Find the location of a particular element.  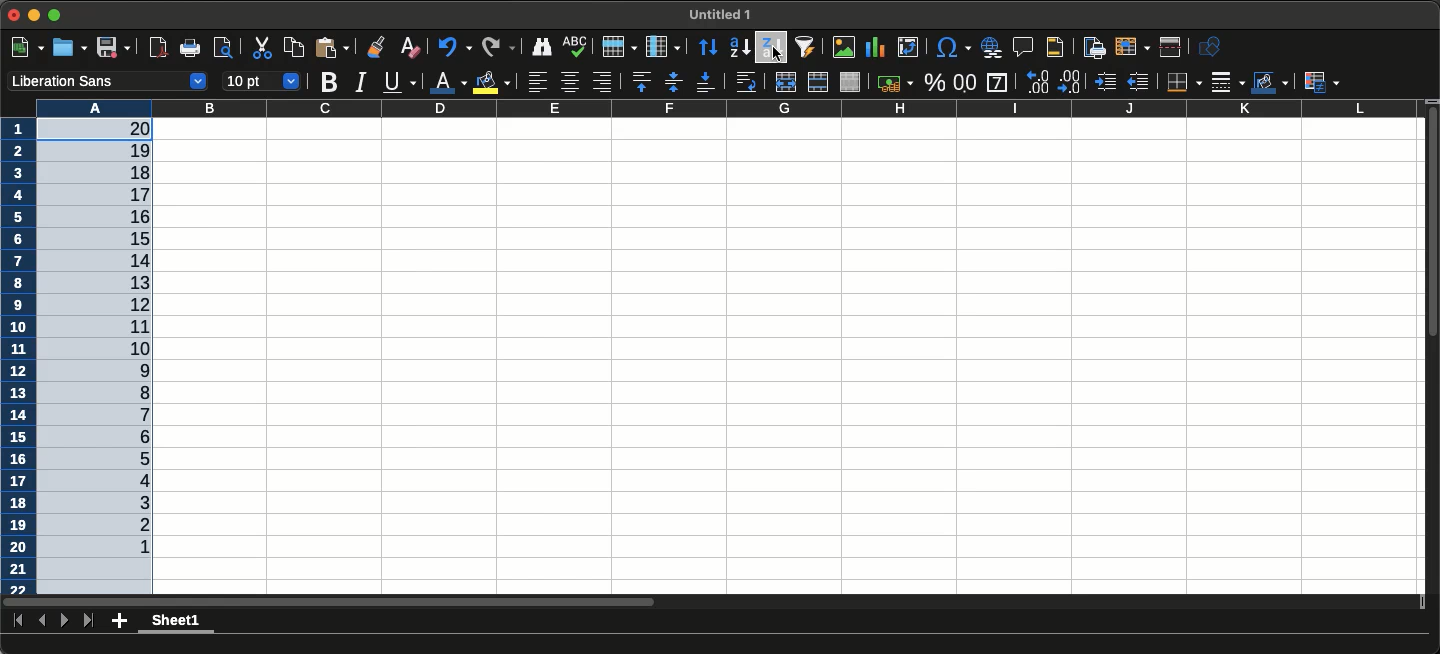

Currency is located at coordinates (895, 84).